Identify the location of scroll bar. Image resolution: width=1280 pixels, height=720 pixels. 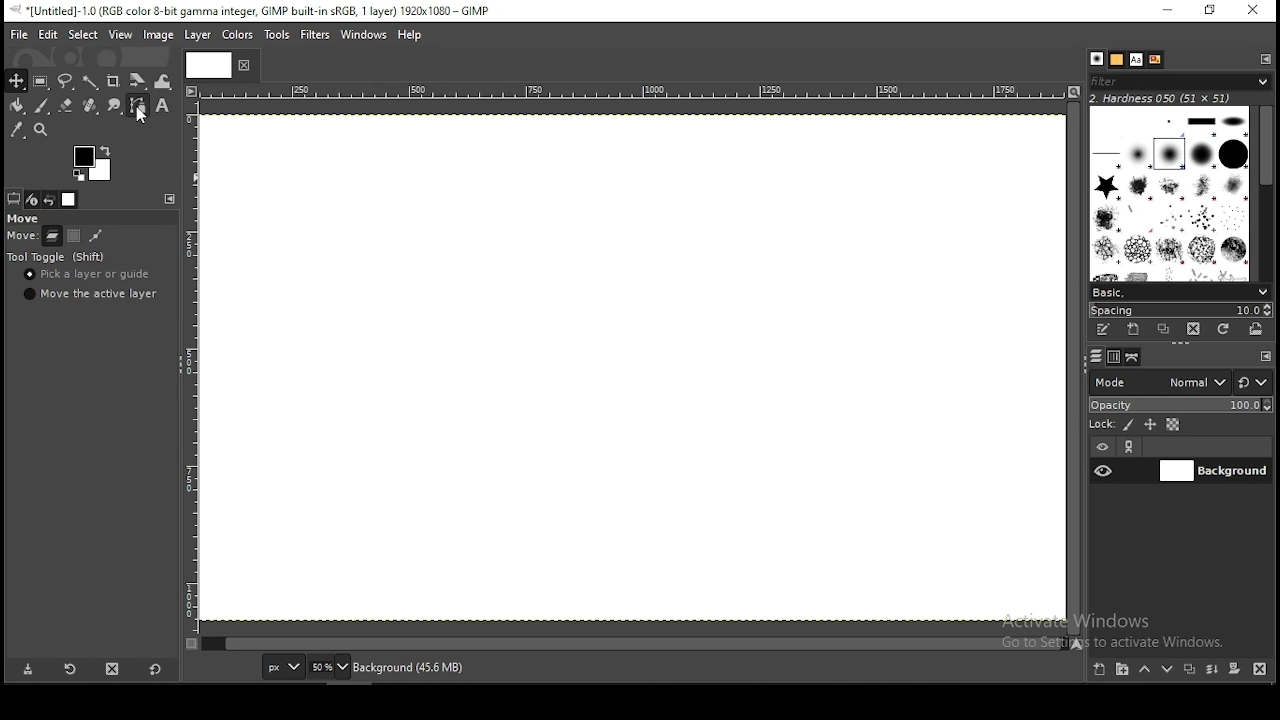
(632, 645).